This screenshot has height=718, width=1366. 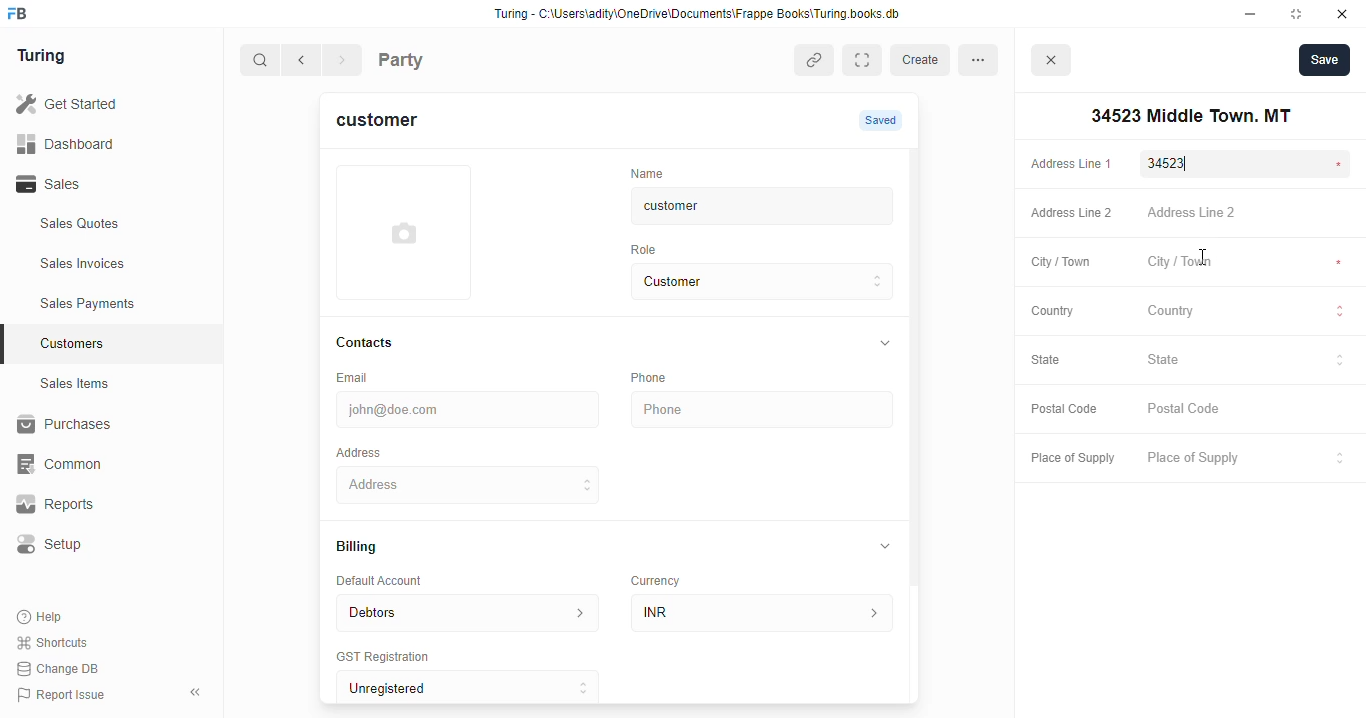 What do you see at coordinates (984, 59) in the screenshot?
I see `more options` at bounding box center [984, 59].